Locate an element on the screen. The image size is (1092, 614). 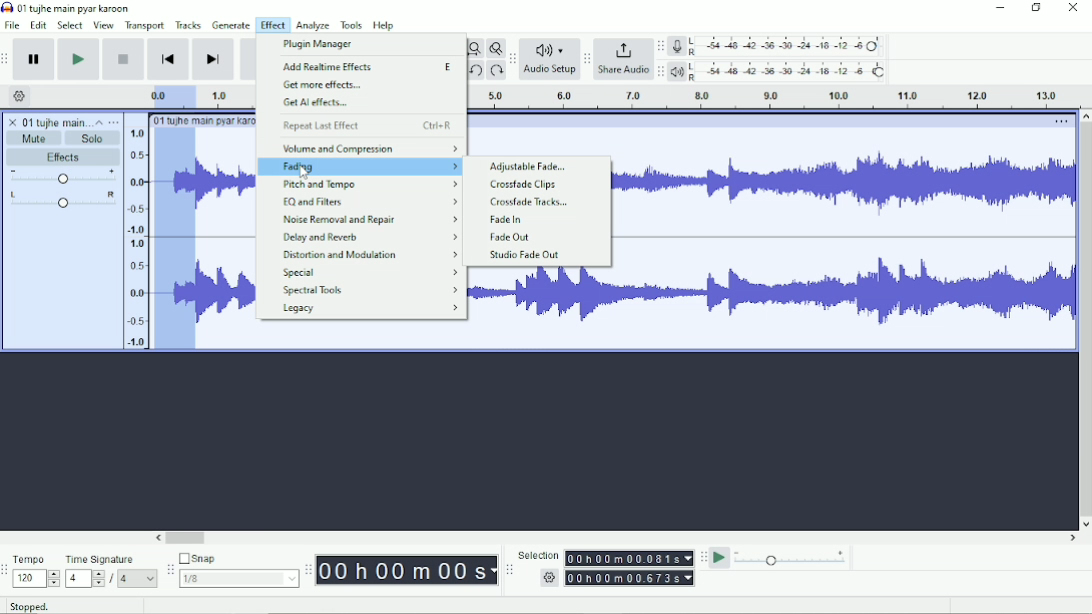
Skip to end is located at coordinates (213, 60).